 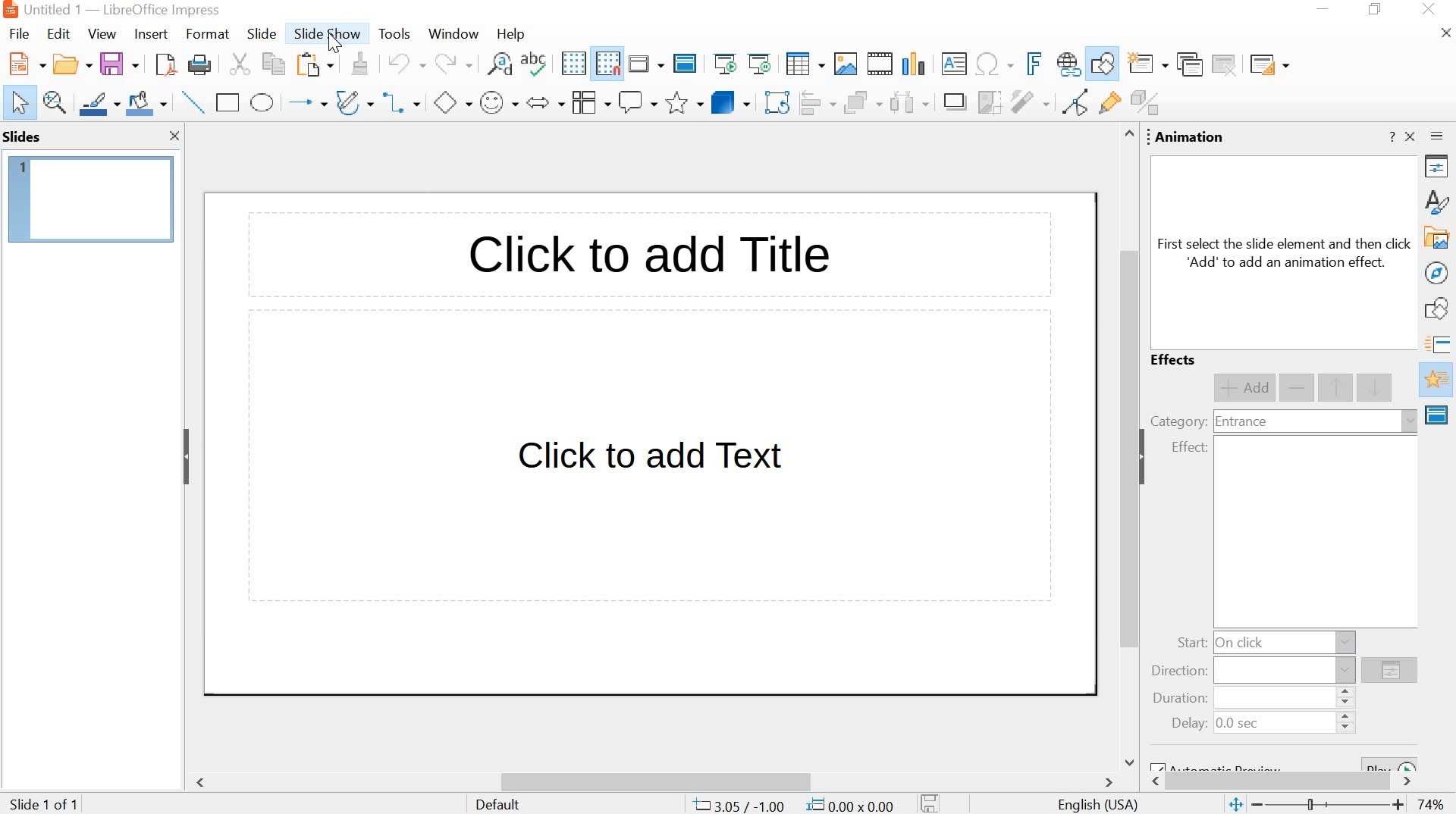 I want to click on show draw functions, so click(x=1103, y=64).